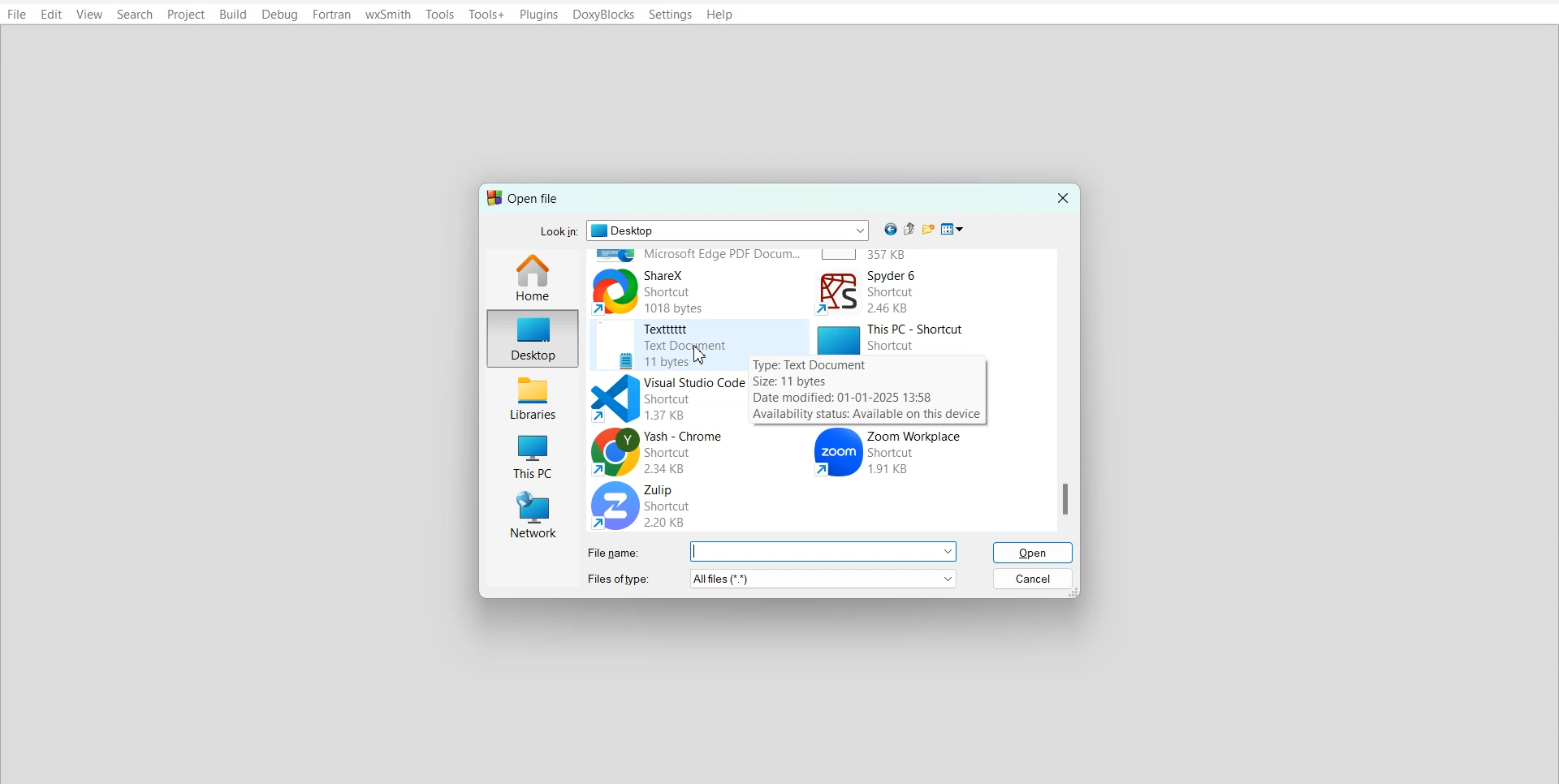  Describe the element at coordinates (798, 381) in the screenshot. I see `Size: 11 bytes` at that location.